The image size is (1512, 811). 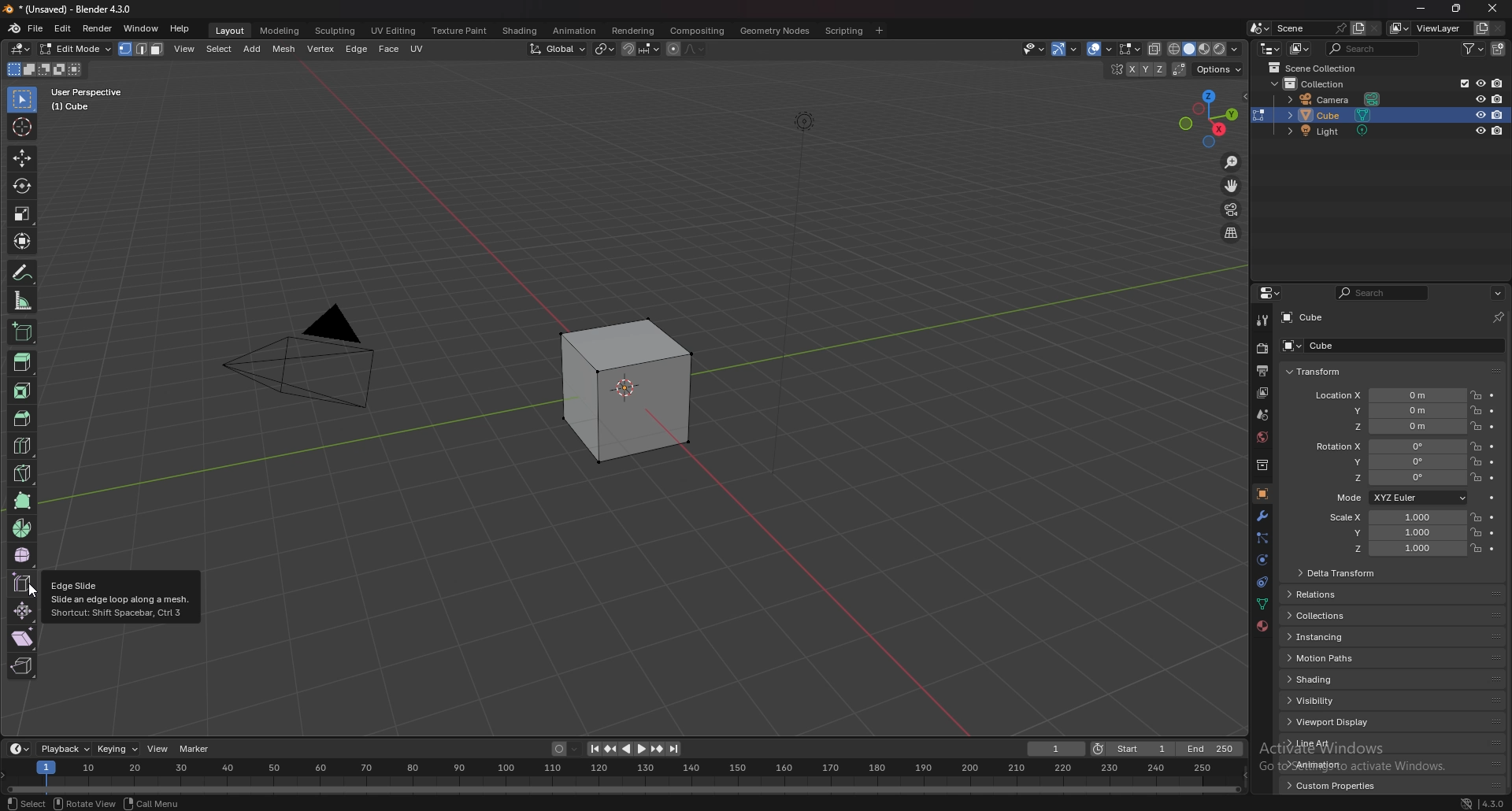 What do you see at coordinates (1421, 9) in the screenshot?
I see `minimize` at bounding box center [1421, 9].